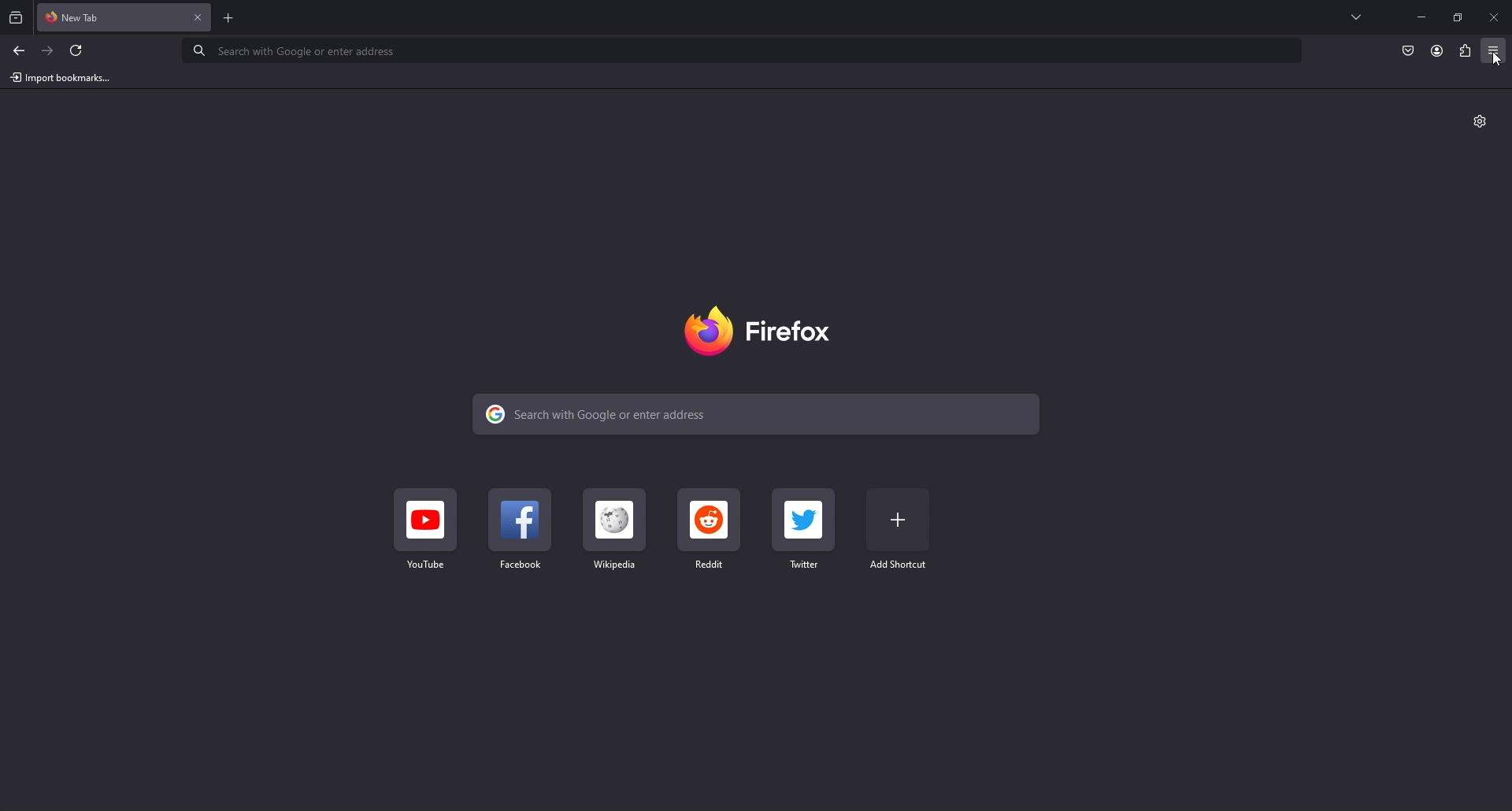 The height and width of the screenshot is (811, 1512). What do you see at coordinates (1466, 50) in the screenshot?
I see `extension` at bounding box center [1466, 50].